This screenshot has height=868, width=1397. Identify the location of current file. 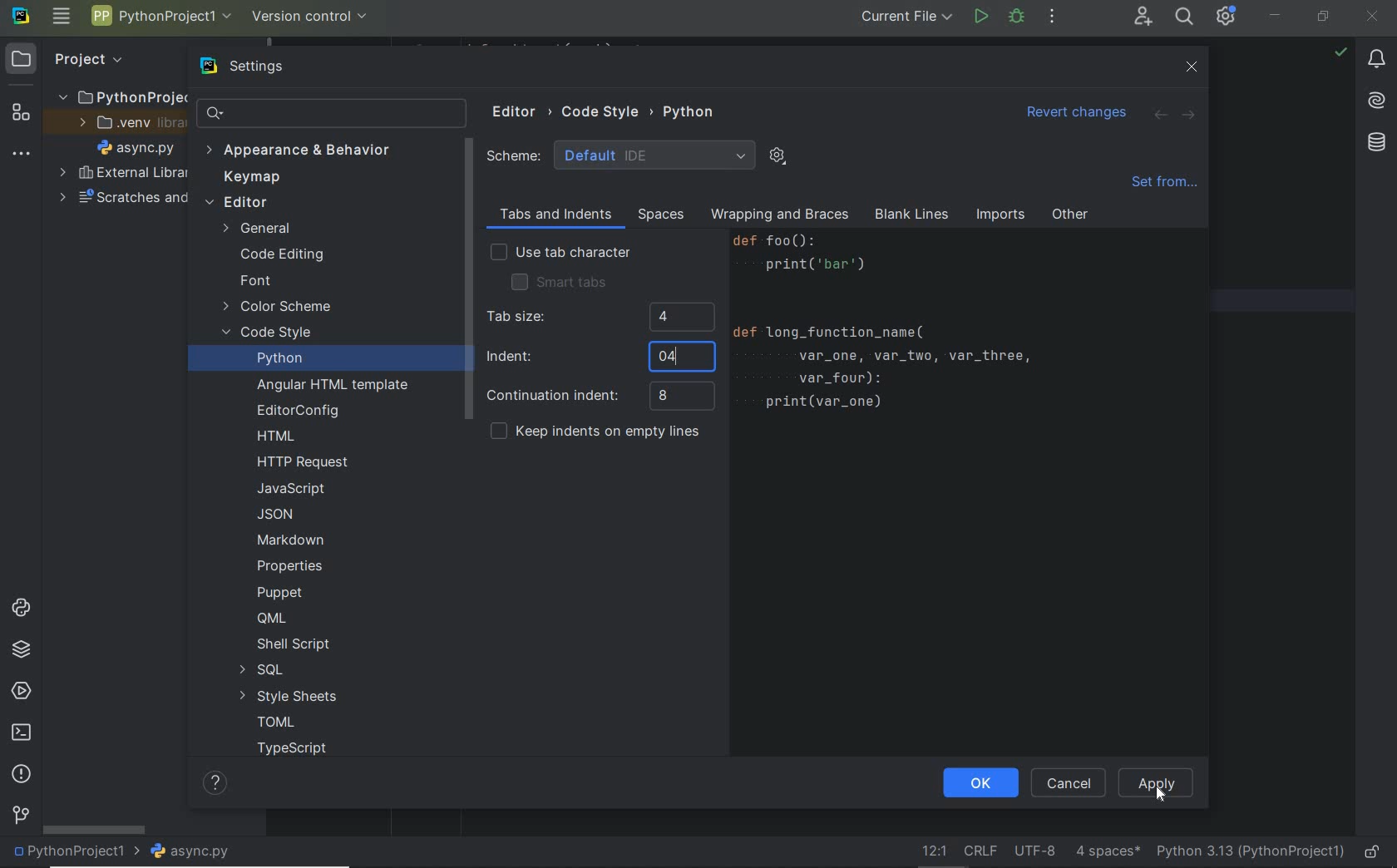
(909, 18).